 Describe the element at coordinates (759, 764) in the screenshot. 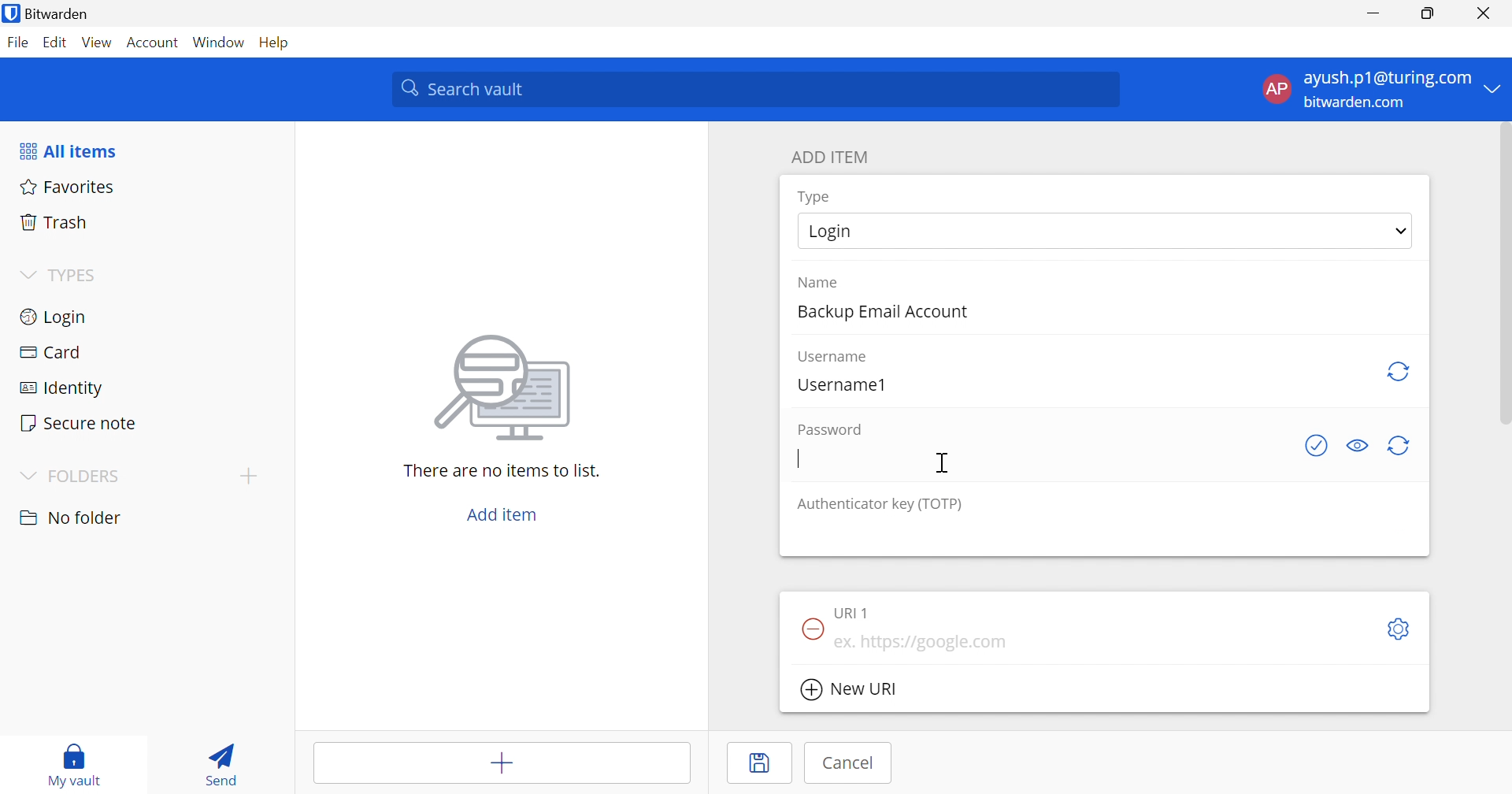

I see `Save` at that location.